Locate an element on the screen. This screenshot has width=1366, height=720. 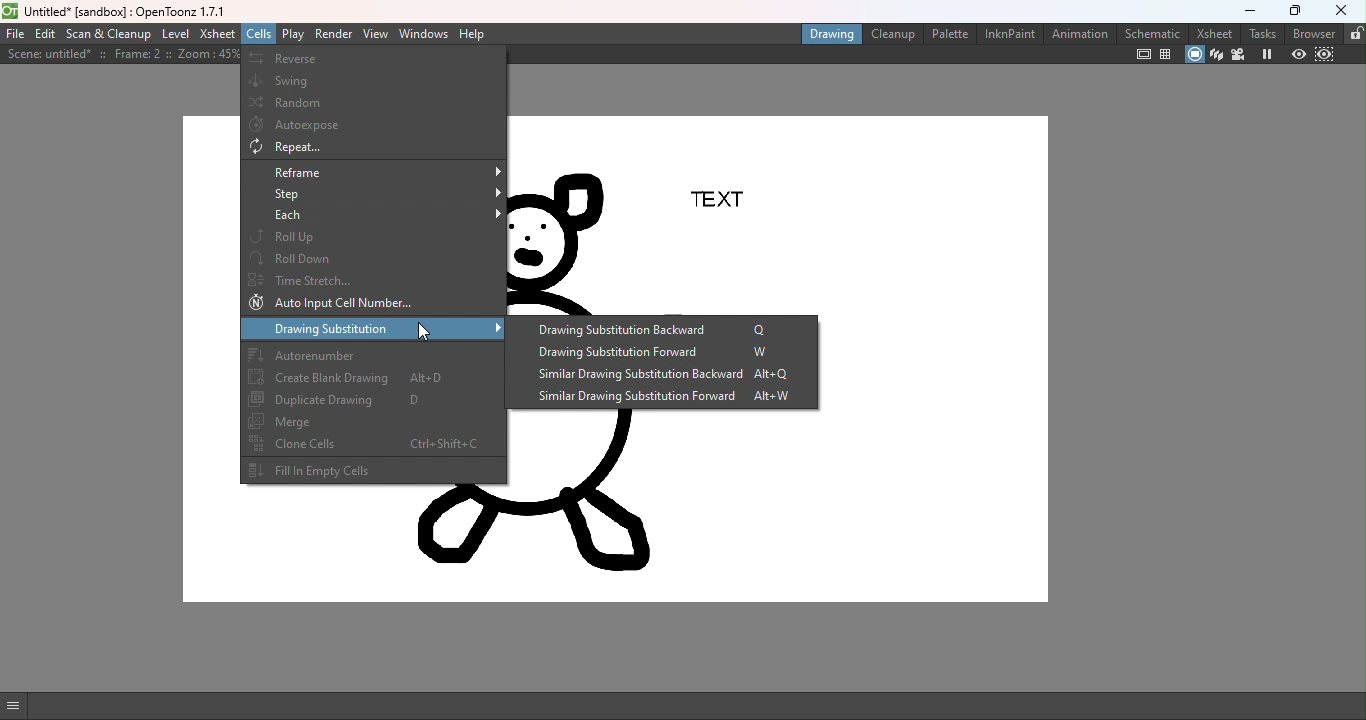
View is located at coordinates (377, 36).